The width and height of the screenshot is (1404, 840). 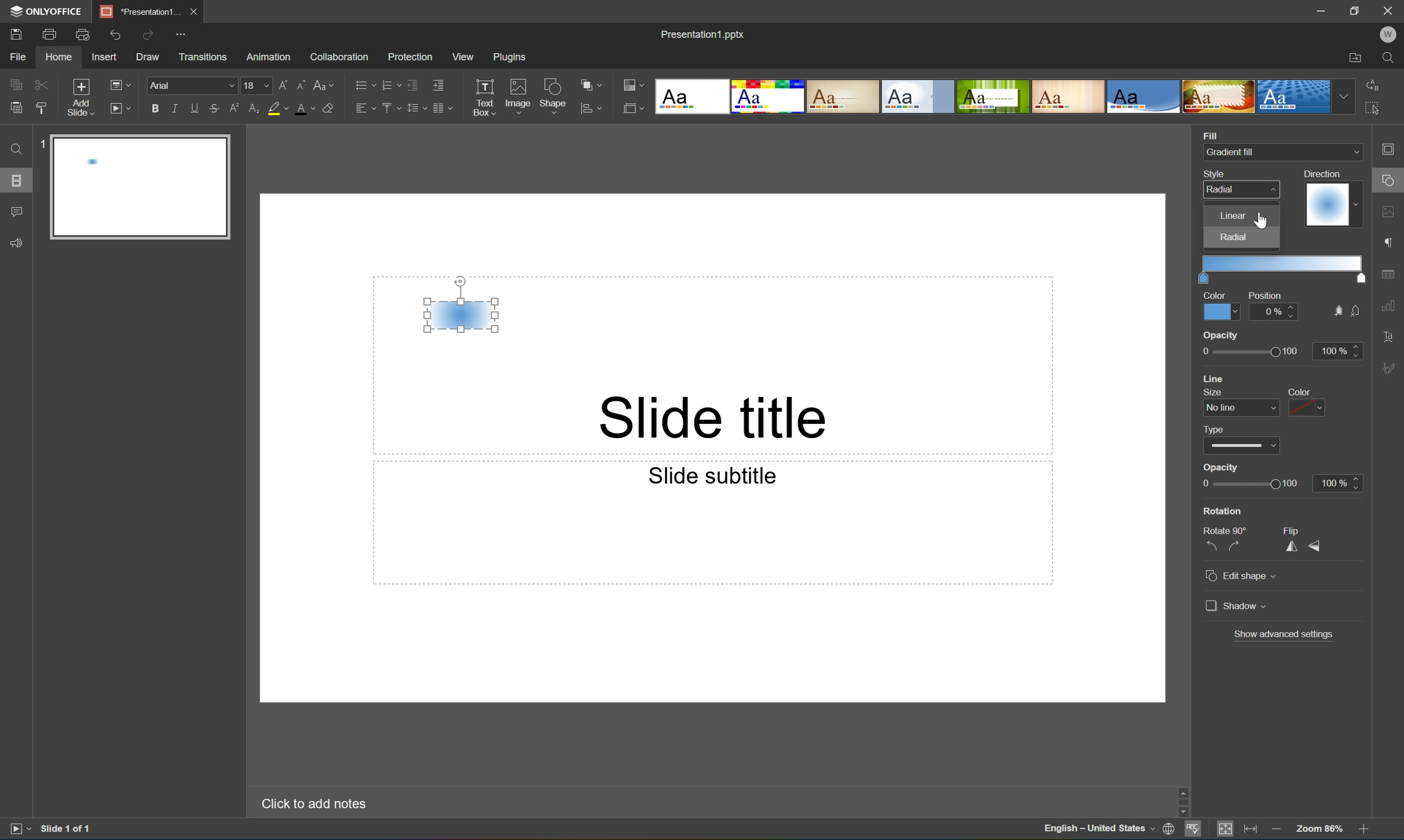 I want to click on Insert, so click(x=104, y=57).